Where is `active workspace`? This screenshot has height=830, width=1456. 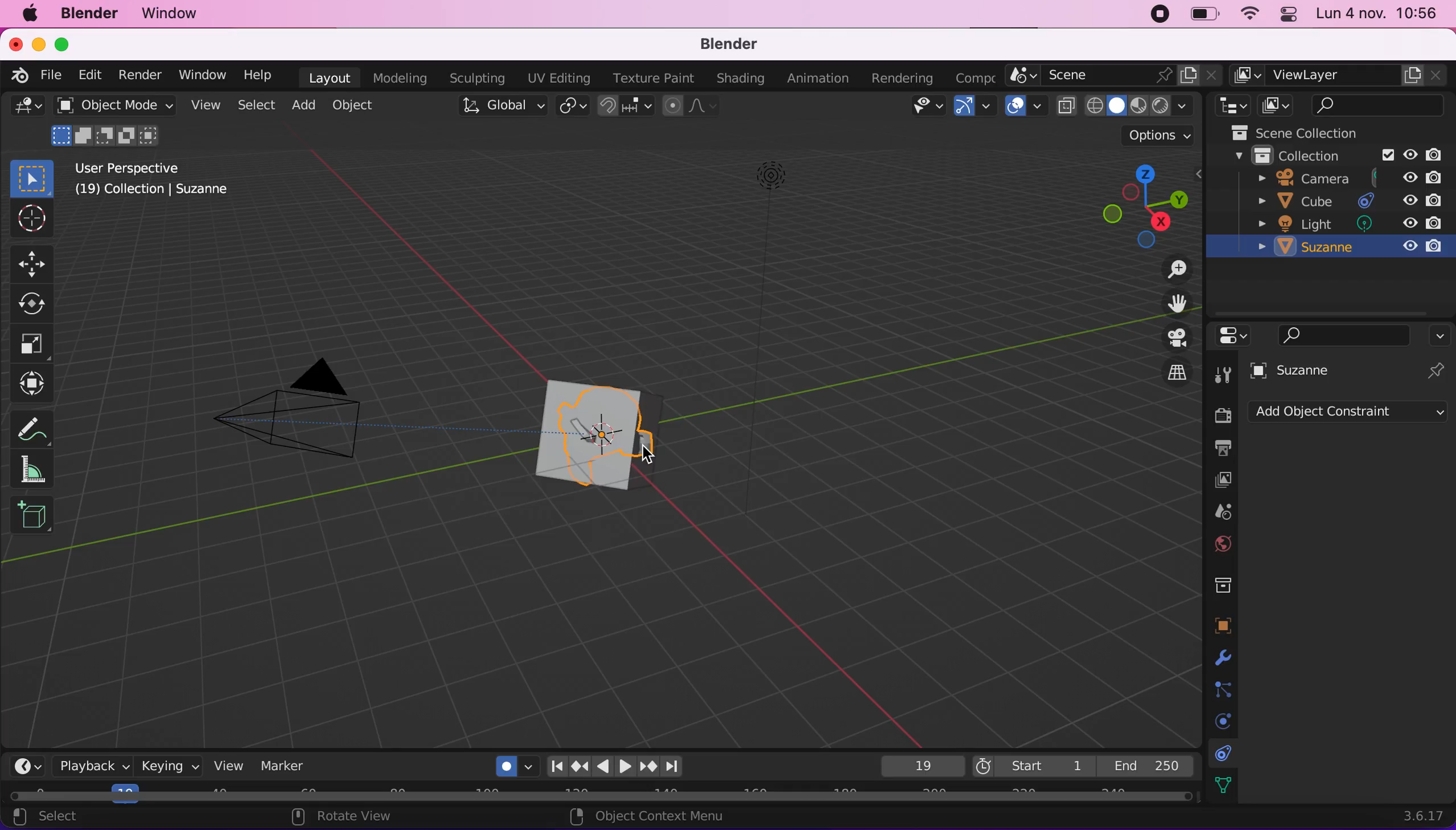
active workspace is located at coordinates (976, 75).